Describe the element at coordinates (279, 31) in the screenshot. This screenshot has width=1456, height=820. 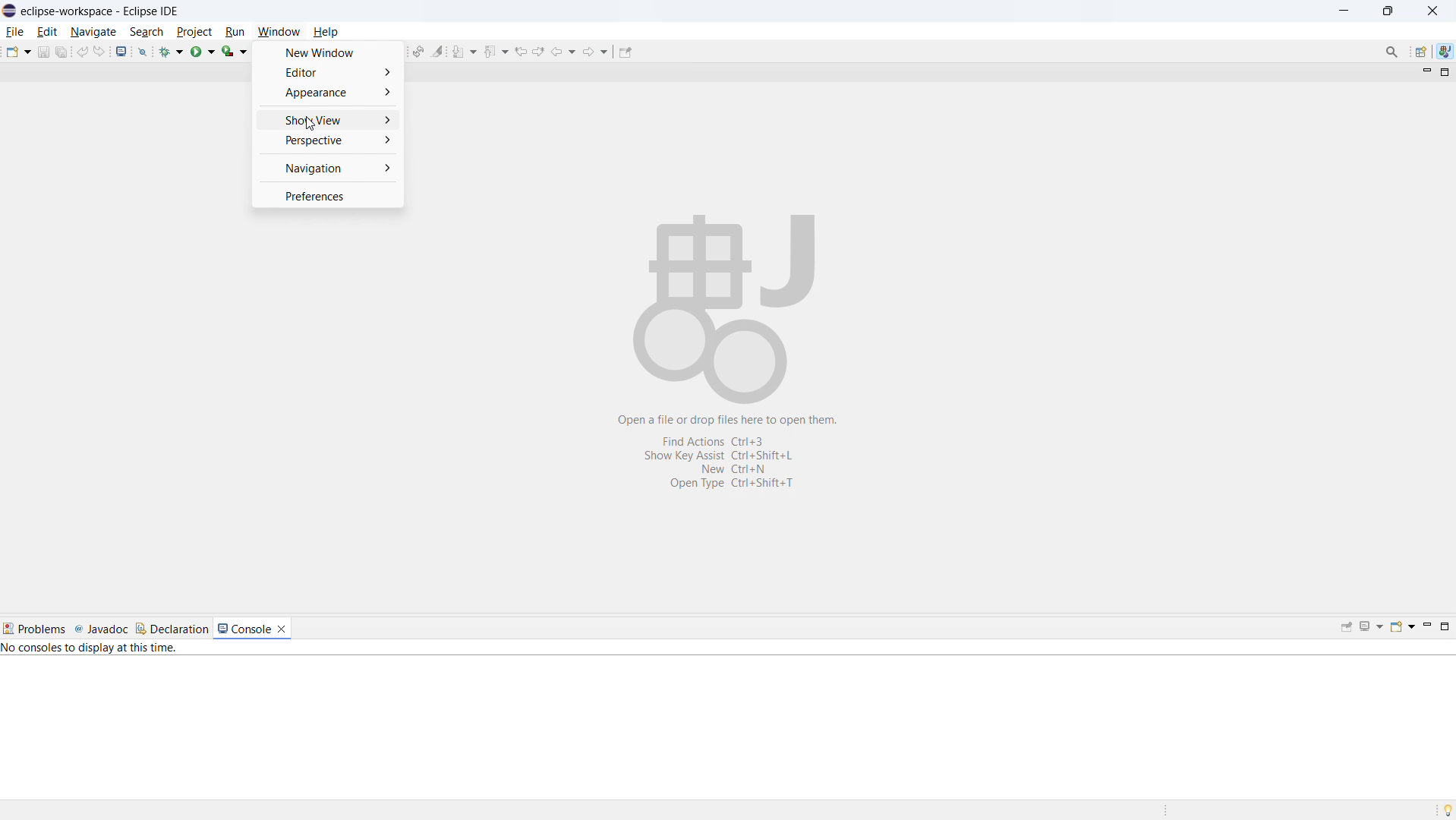
I see `window` at that location.